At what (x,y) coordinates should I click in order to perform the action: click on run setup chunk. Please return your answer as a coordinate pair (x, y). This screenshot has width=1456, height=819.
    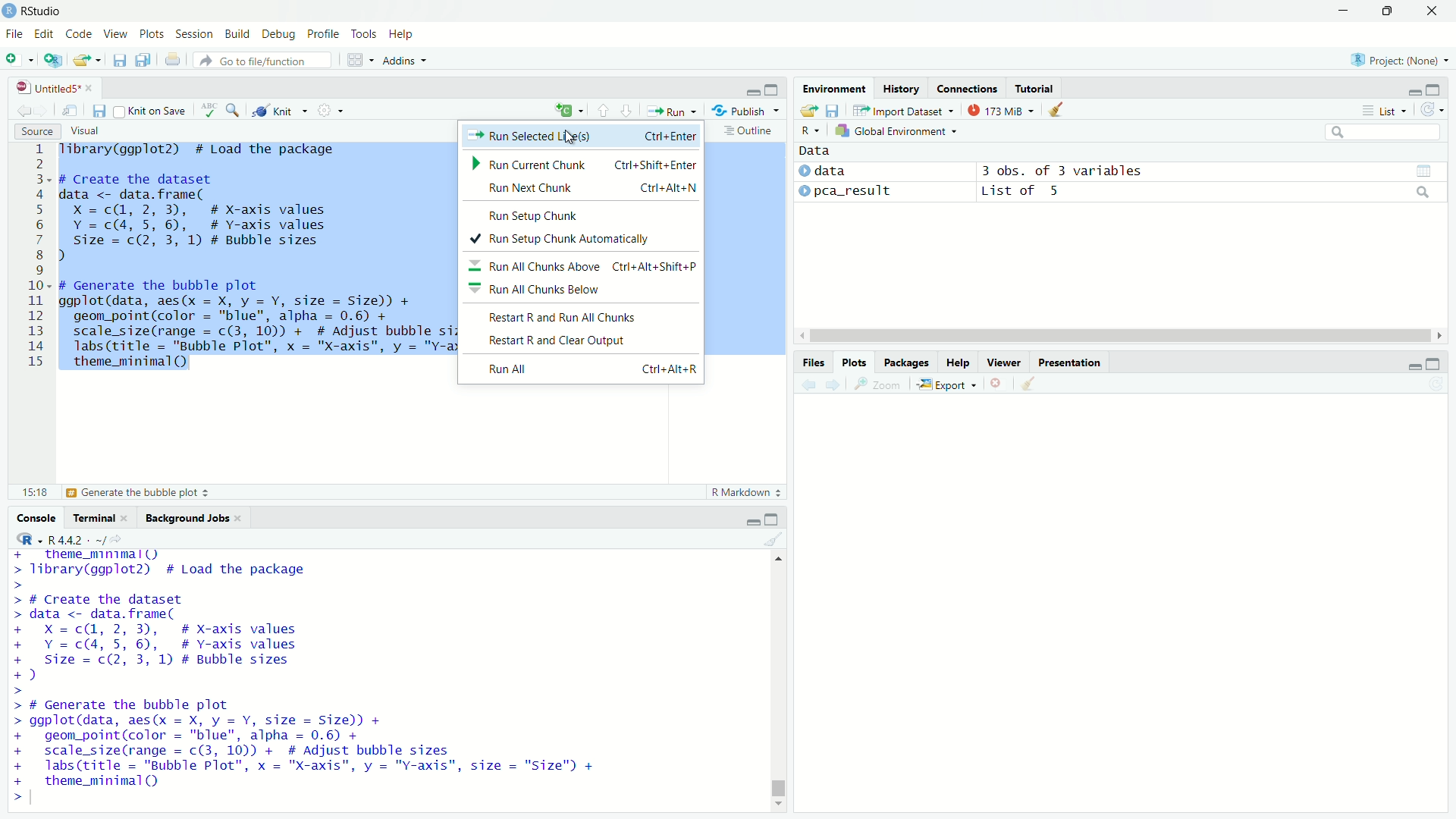
    Looking at the image, I should click on (582, 214).